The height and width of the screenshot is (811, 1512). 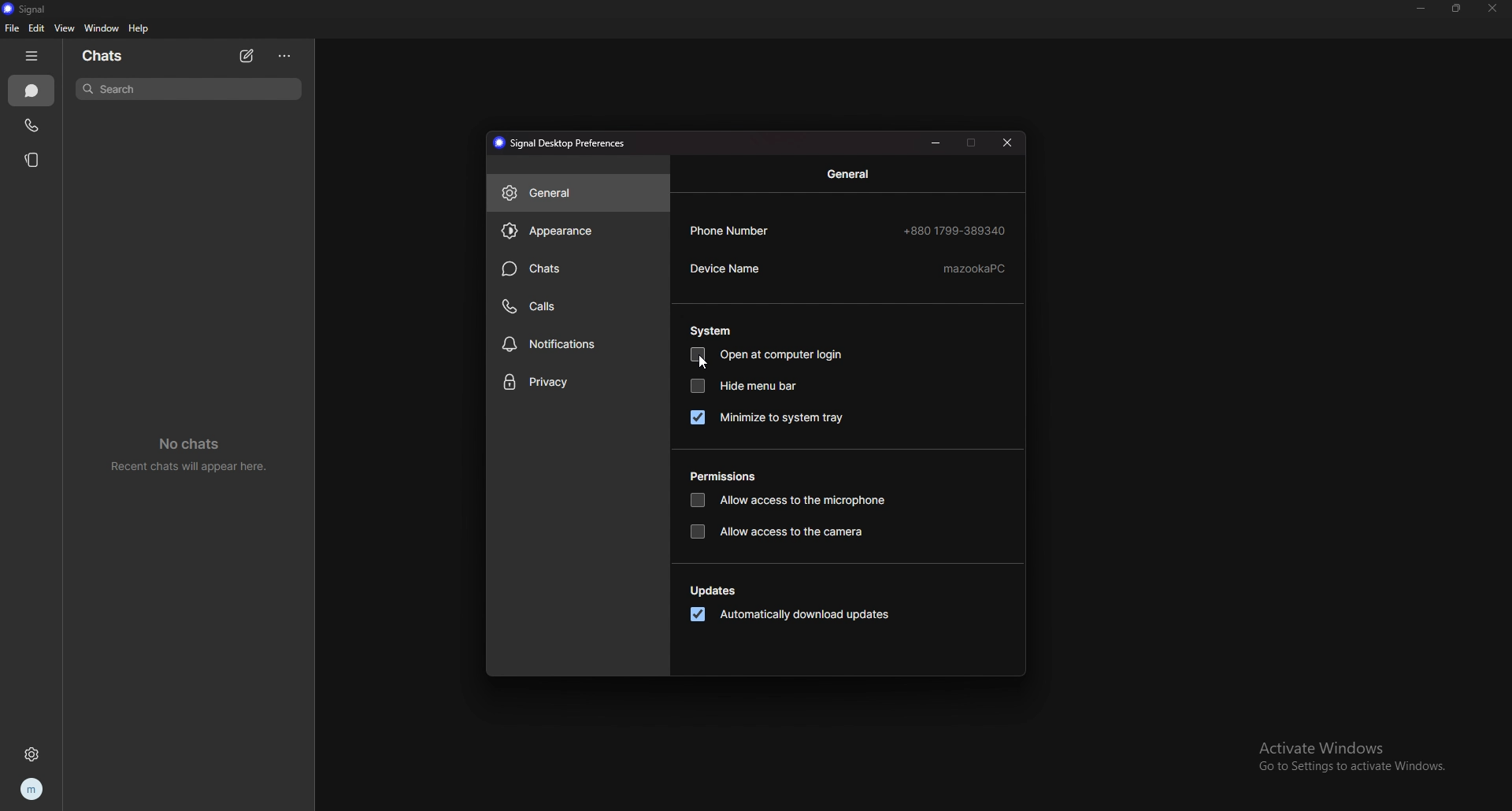 What do you see at coordinates (744, 385) in the screenshot?
I see `hide menu bar` at bounding box center [744, 385].